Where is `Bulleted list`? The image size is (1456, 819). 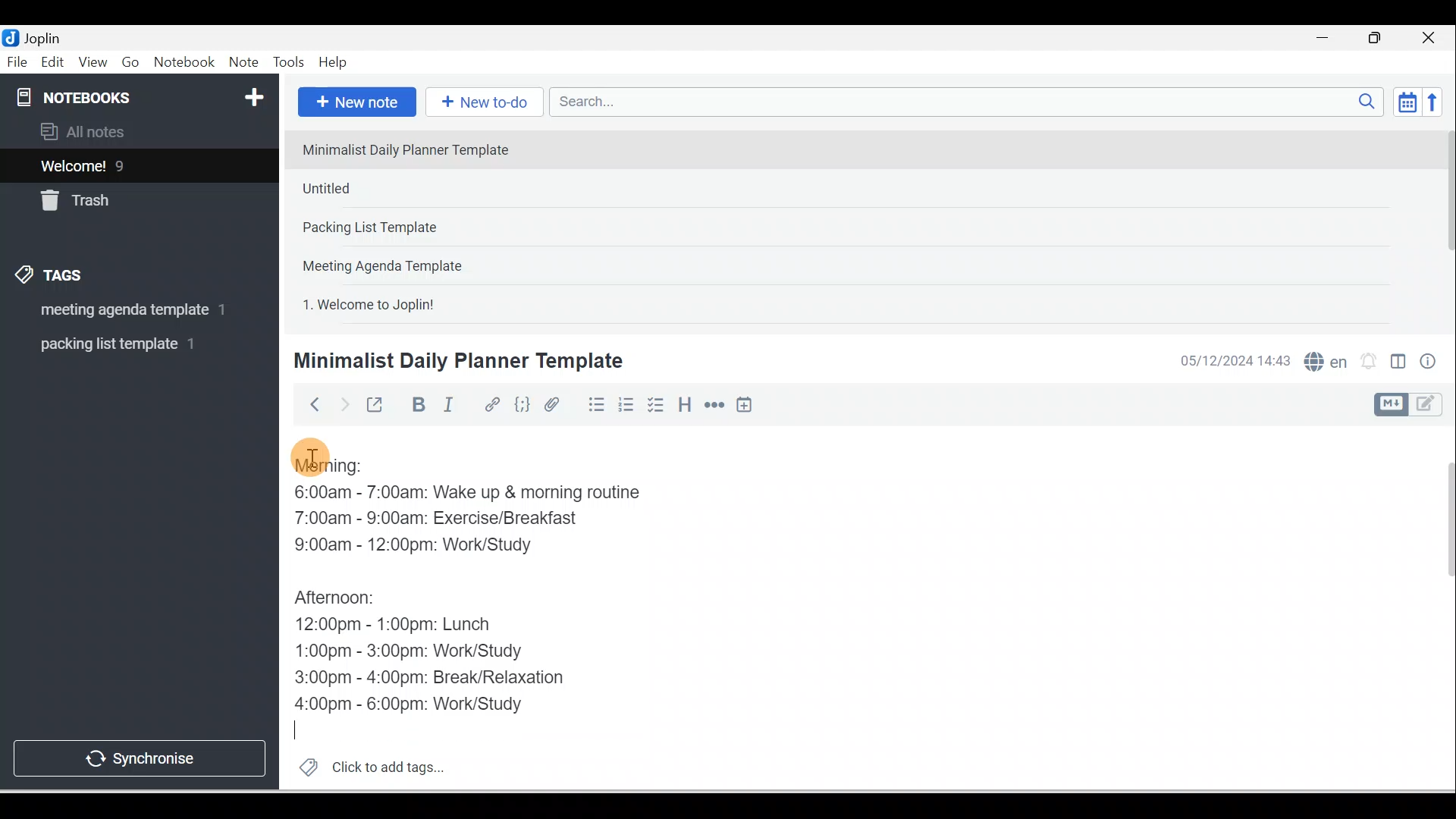 Bulleted list is located at coordinates (593, 404).